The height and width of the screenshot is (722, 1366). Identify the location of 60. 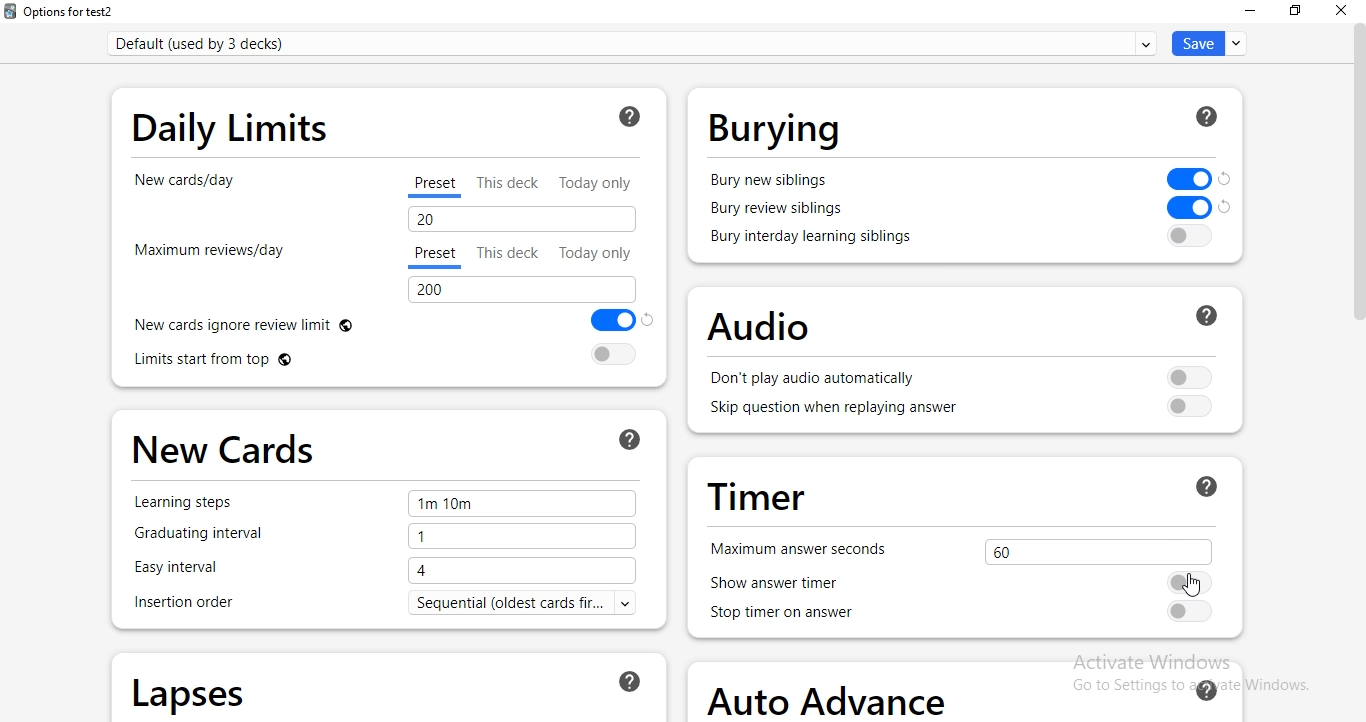
(1097, 552).